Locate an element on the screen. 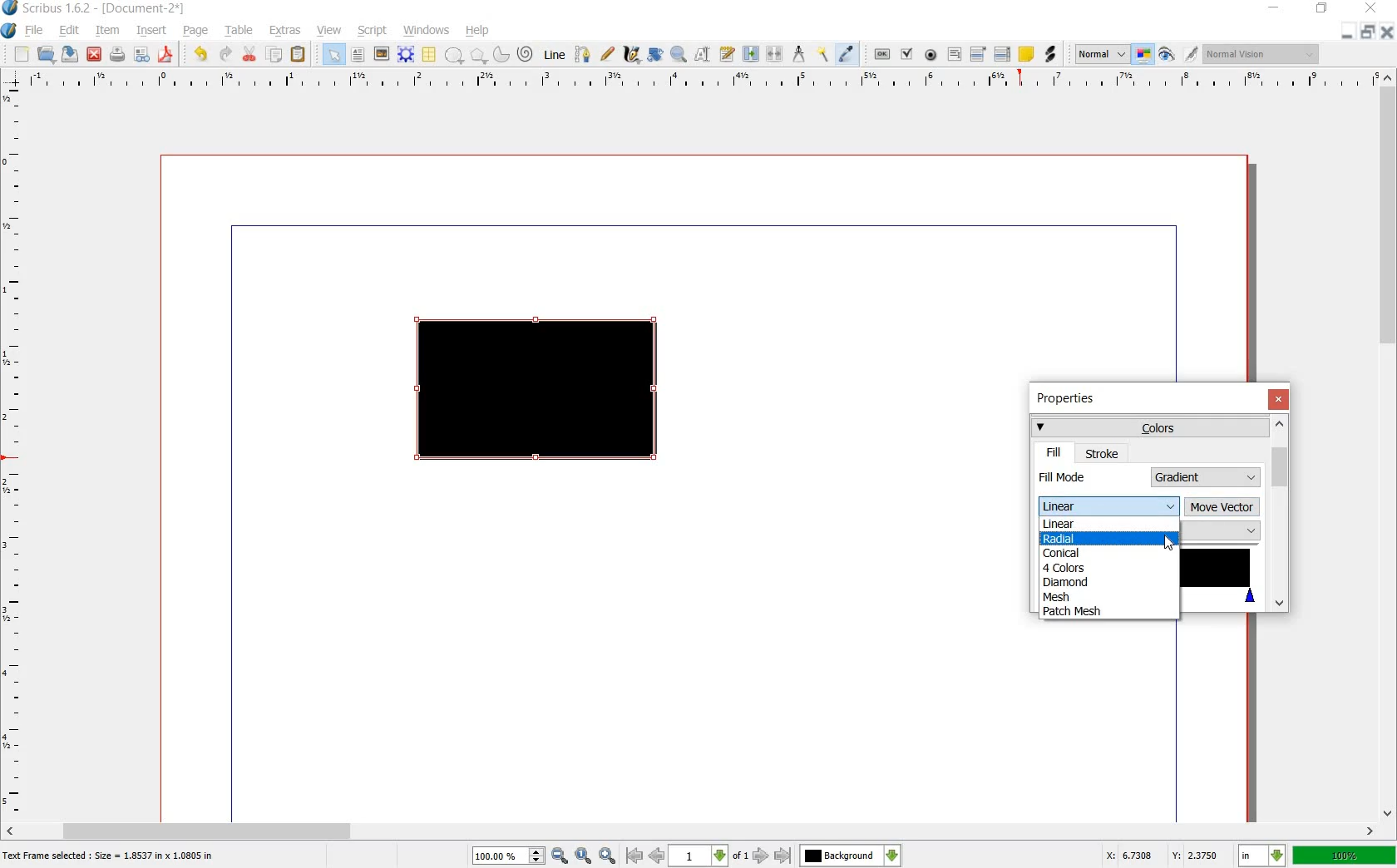 The image size is (1397, 868). scroll bar is located at coordinates (1389, 446).